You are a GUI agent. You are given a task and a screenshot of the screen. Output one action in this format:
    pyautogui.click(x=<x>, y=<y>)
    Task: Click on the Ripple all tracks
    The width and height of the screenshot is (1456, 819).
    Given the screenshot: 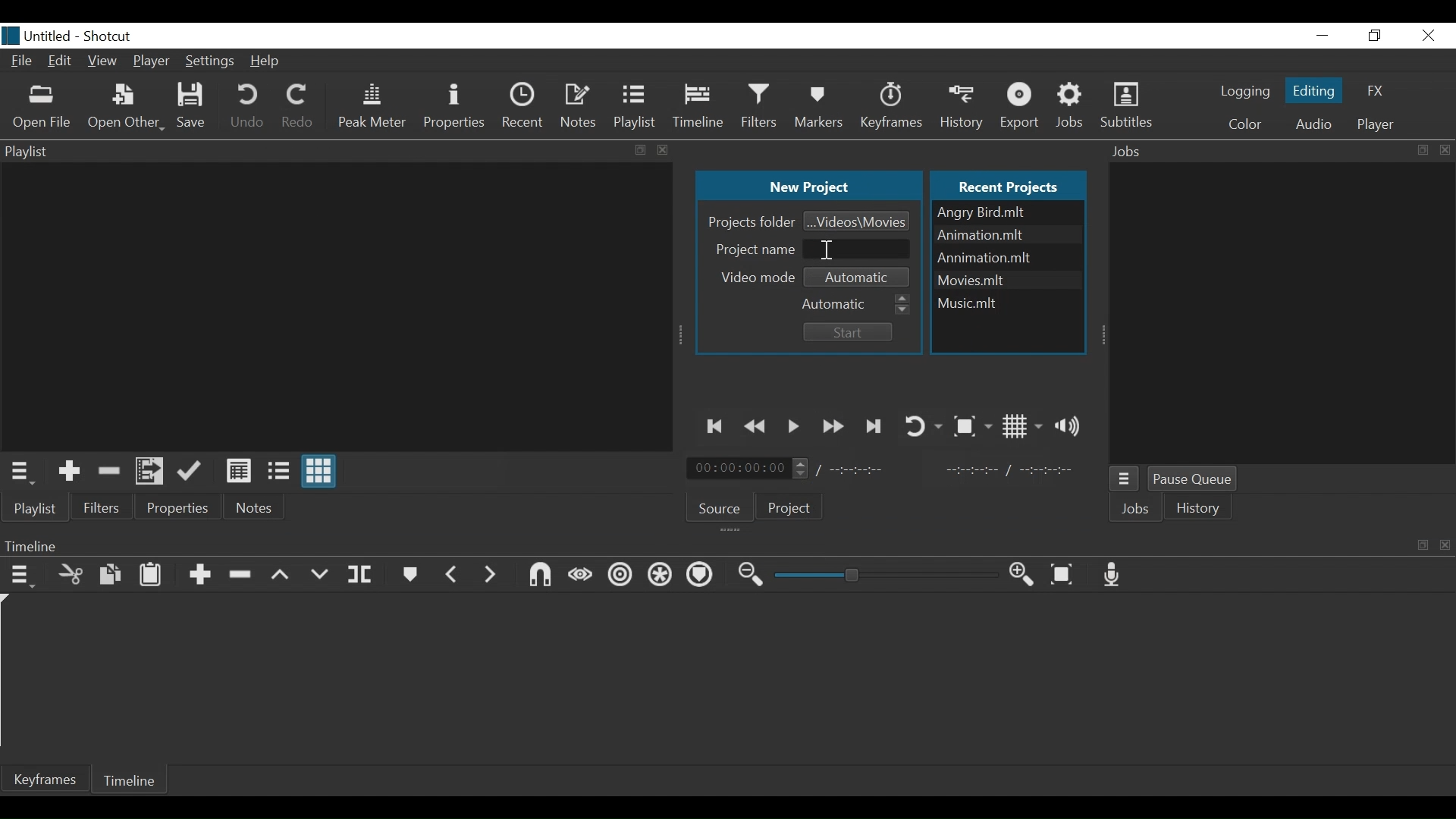 What is the action you would take?
    pyautogui.click(x=661, y=576)
    